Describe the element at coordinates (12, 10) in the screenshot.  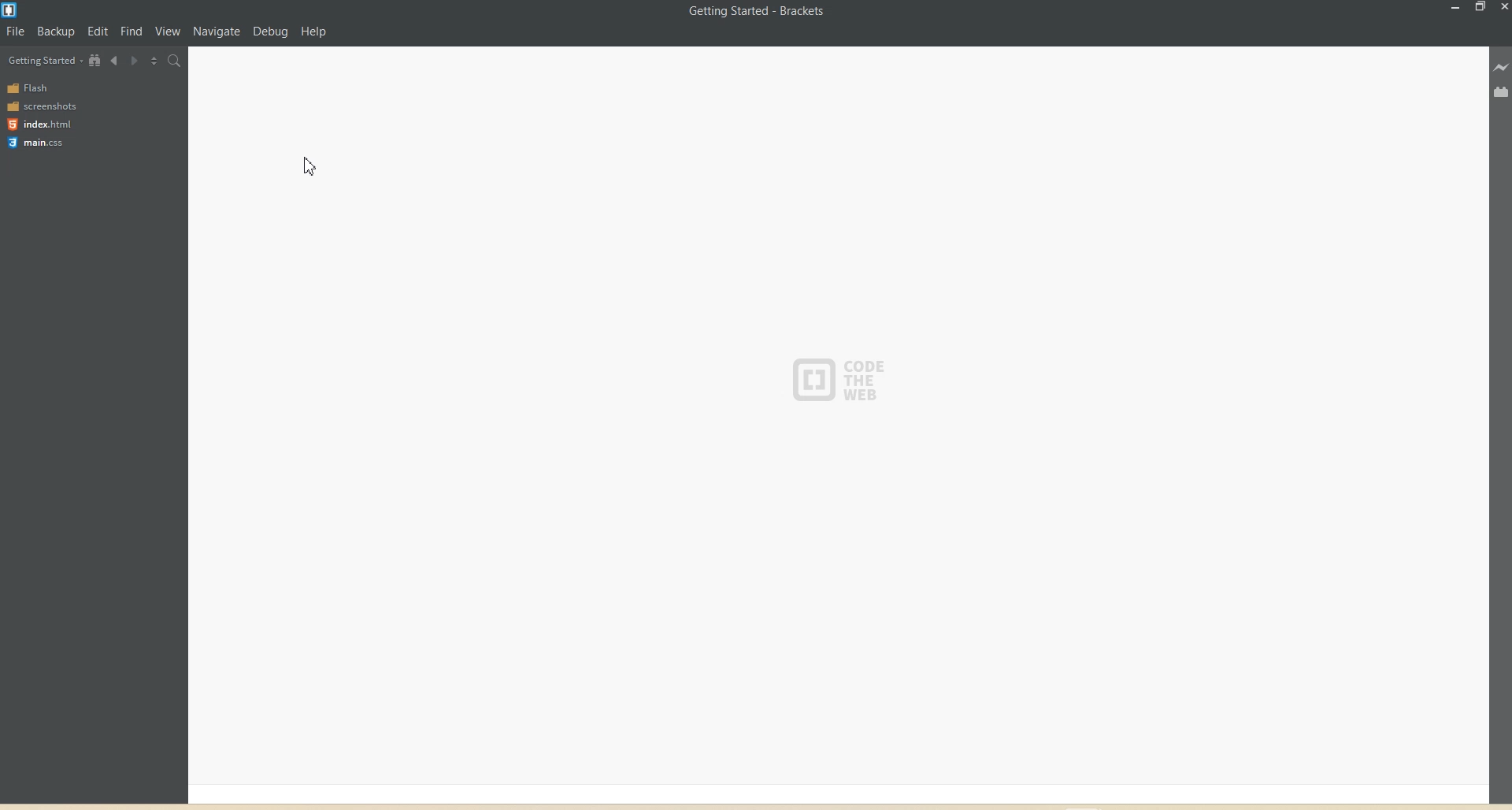
I see `Logo` at that location.